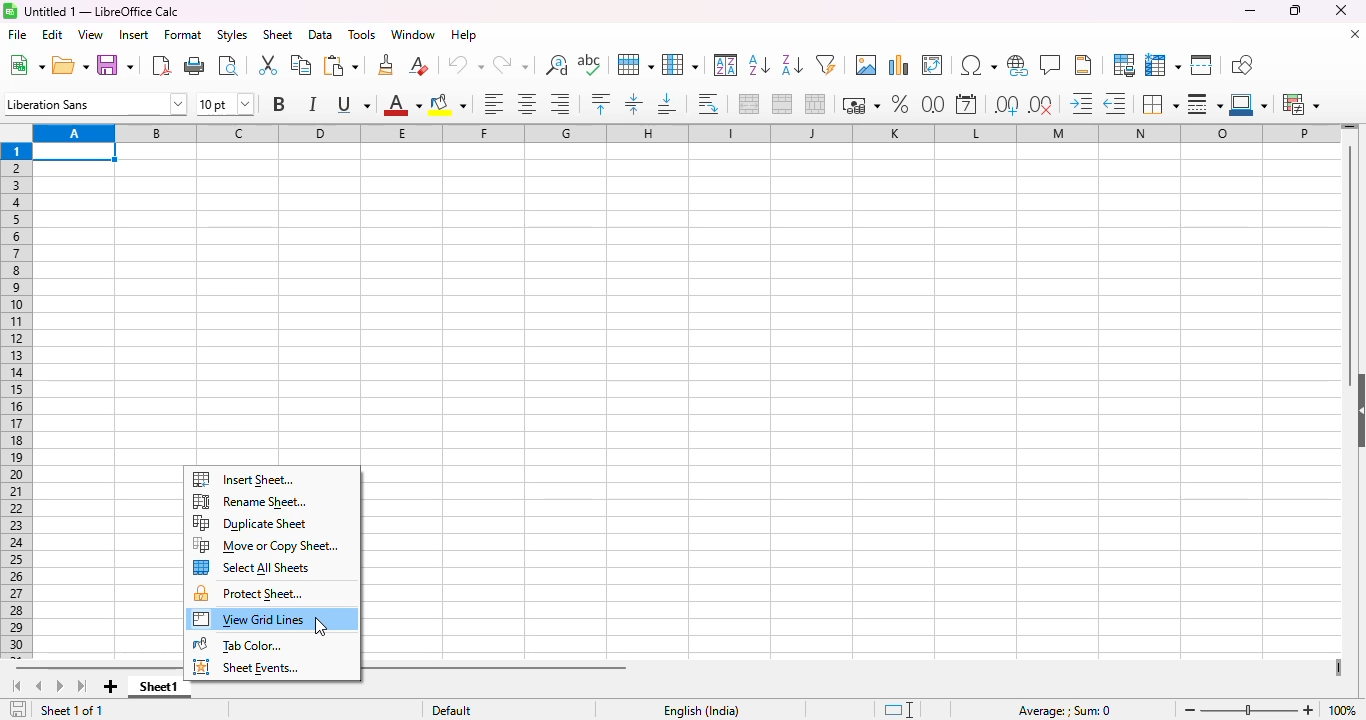 The image size is (1366, 720). I want to click on underline, so click(353, 104).